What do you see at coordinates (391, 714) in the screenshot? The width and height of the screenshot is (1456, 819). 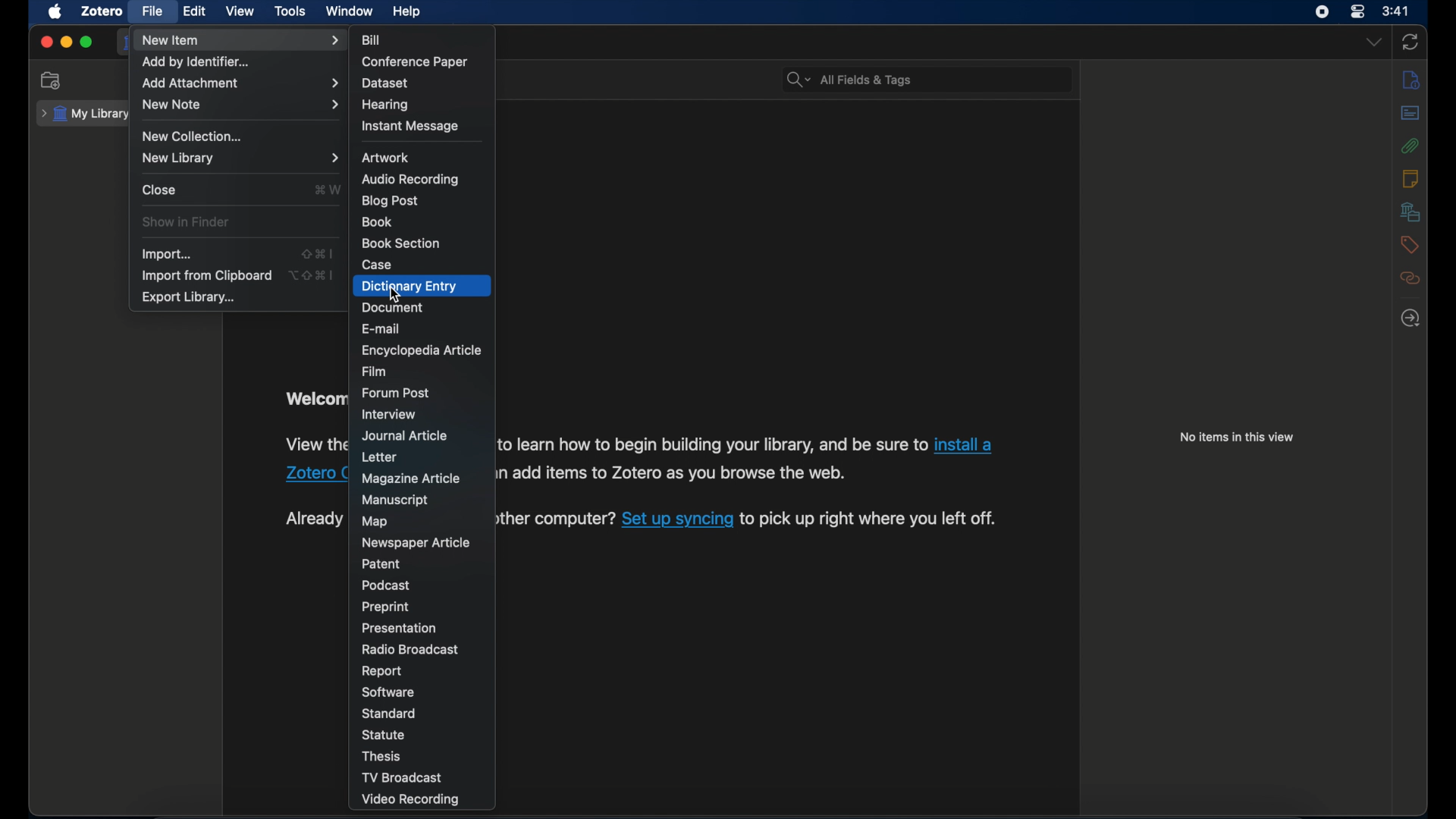 I see `standard` at bounding box center [391, 714].